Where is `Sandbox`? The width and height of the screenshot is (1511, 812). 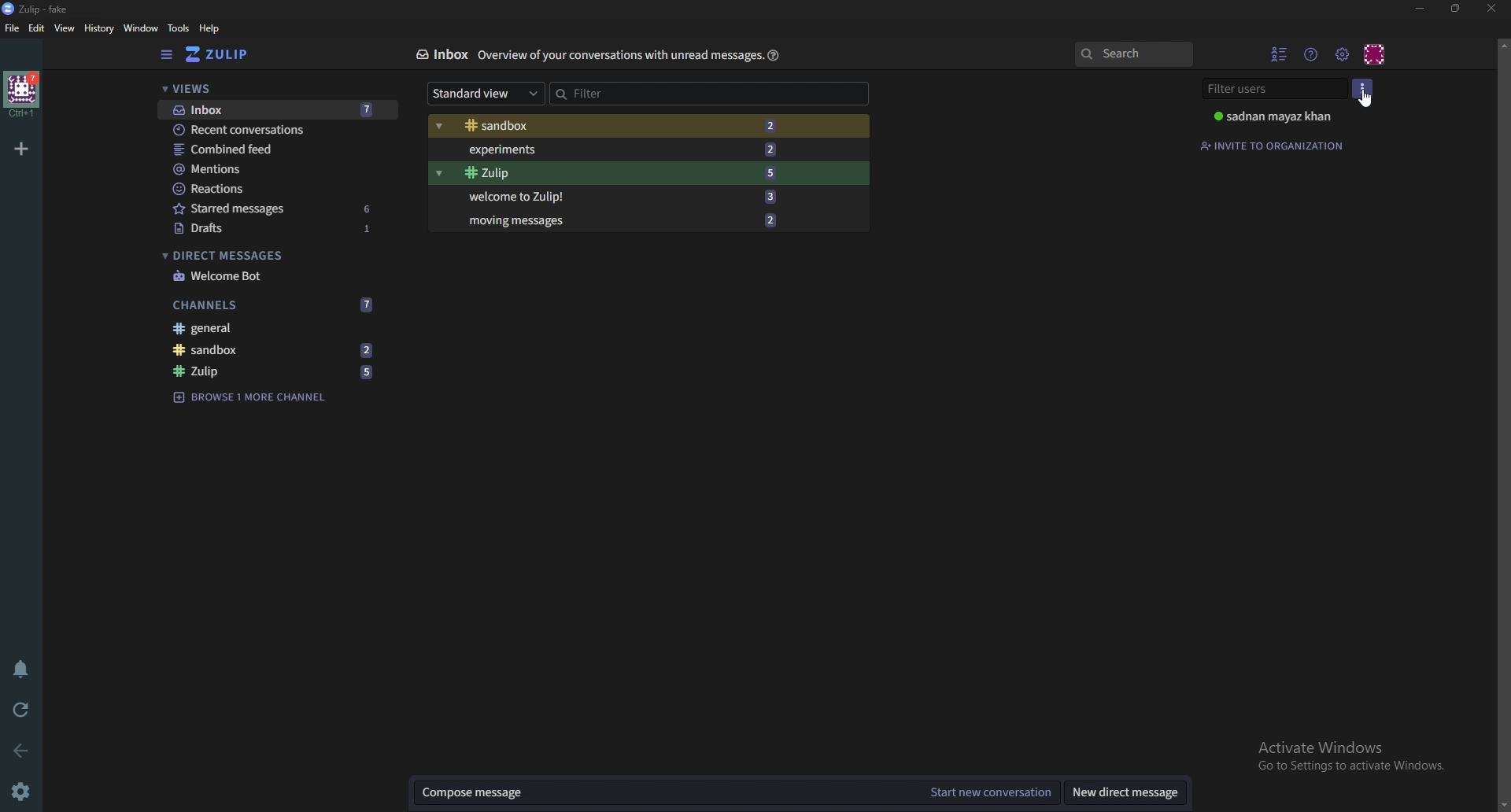
Sandbox is located at coordinates (272, 352).